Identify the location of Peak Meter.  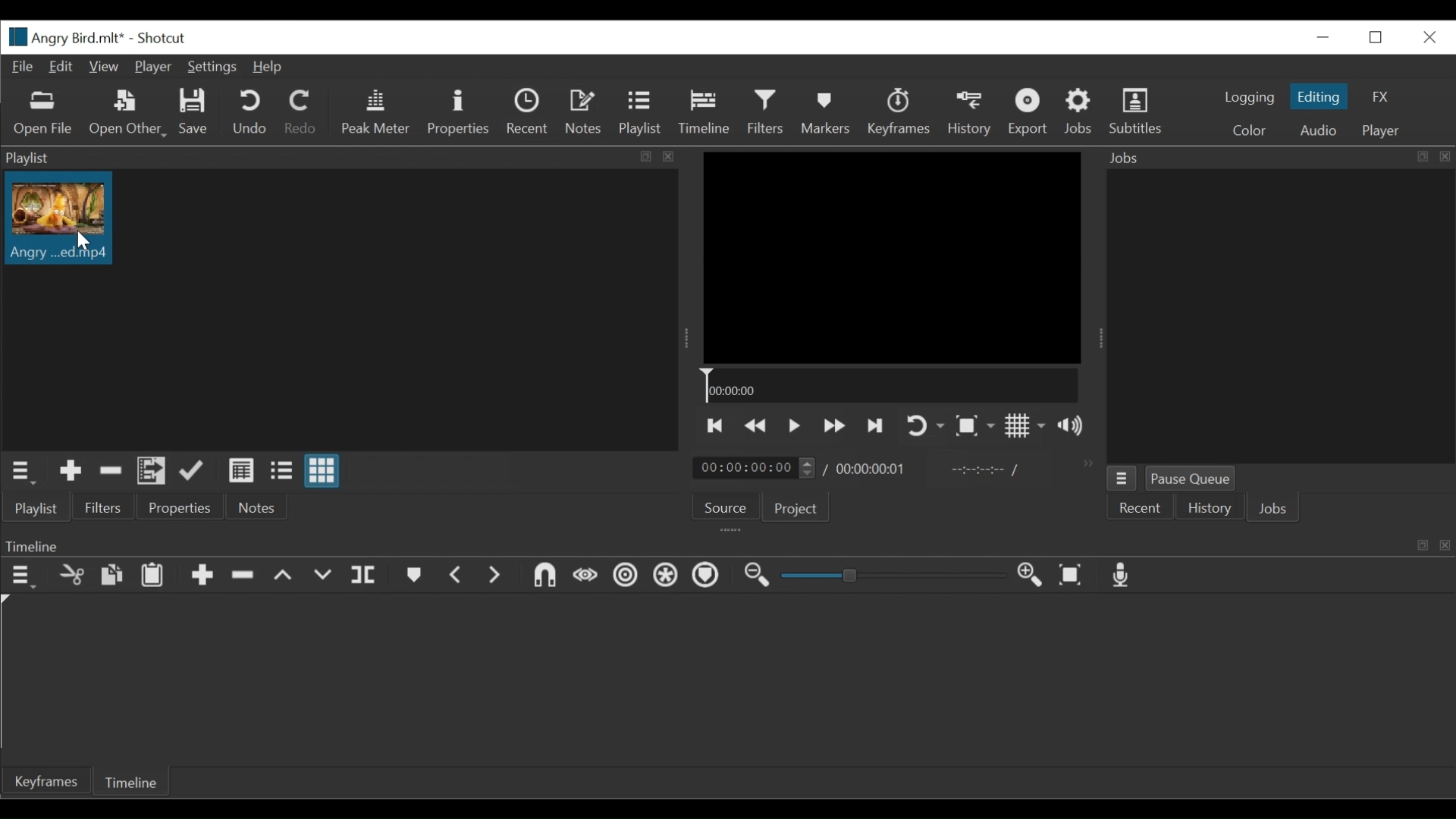
(376, 113).